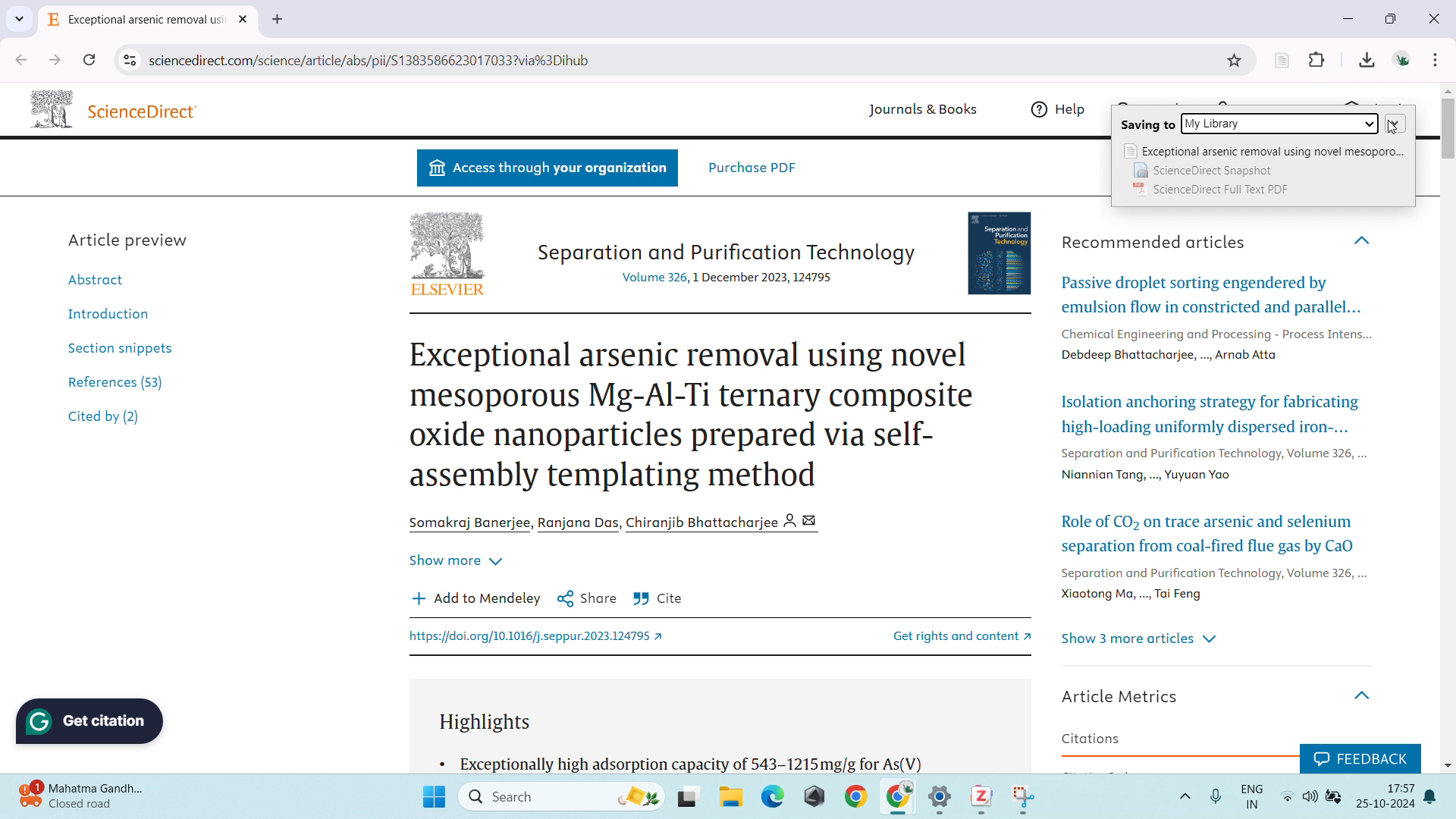 The width and height of the screenshot is (1456, 819). I want to click on Article preview, so click(130, 239).